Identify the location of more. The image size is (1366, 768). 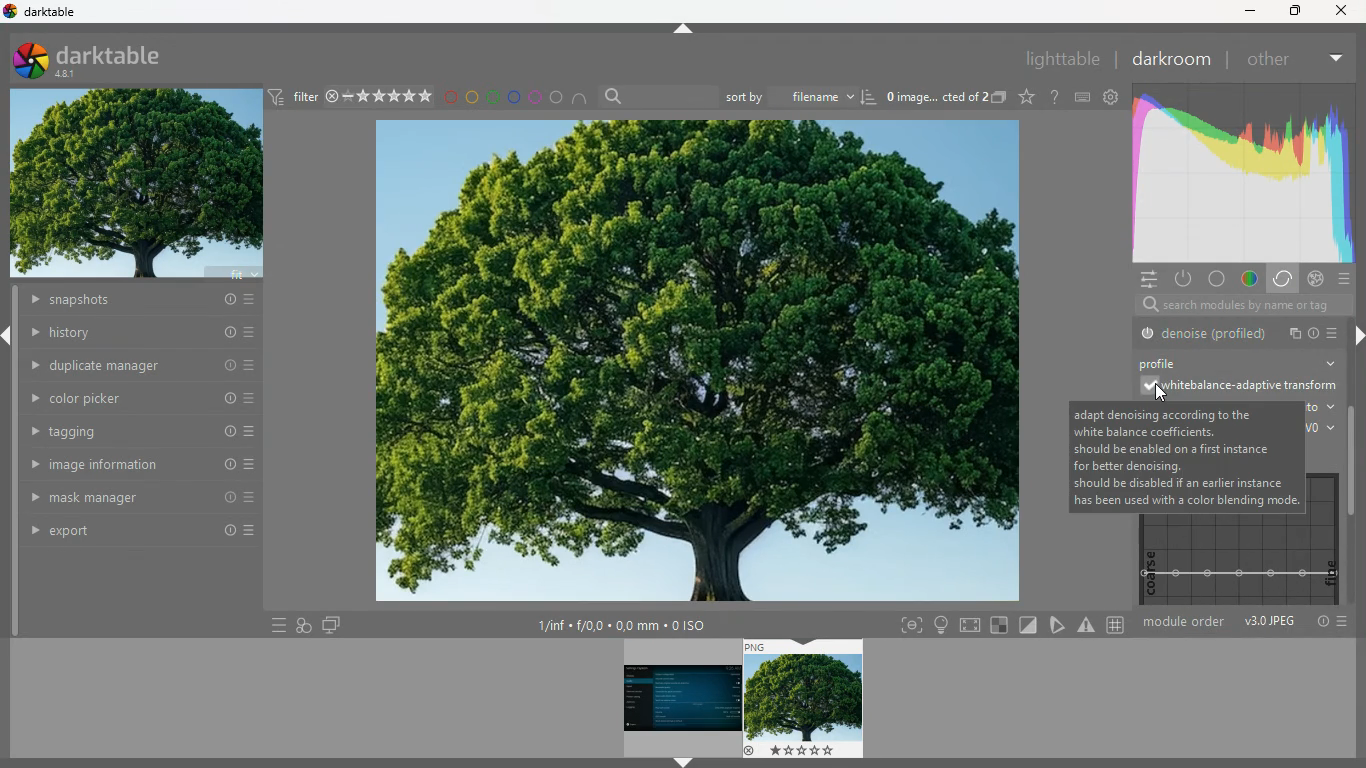
(1346, 623).